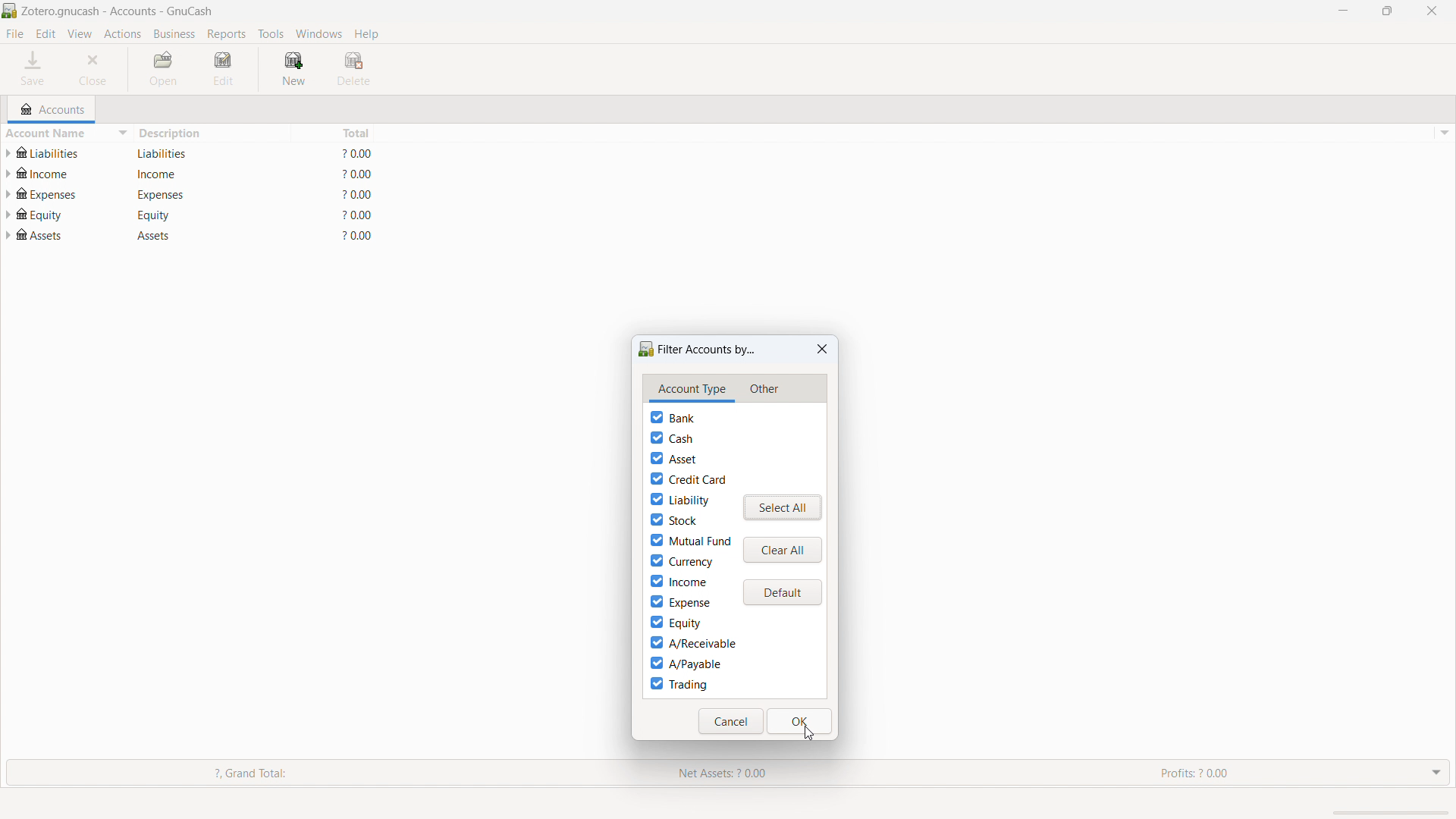 The image size is (1456, 819). Describe the element at coordinates (57, 107) in the screenshot. I see `accounts tab` at that location.